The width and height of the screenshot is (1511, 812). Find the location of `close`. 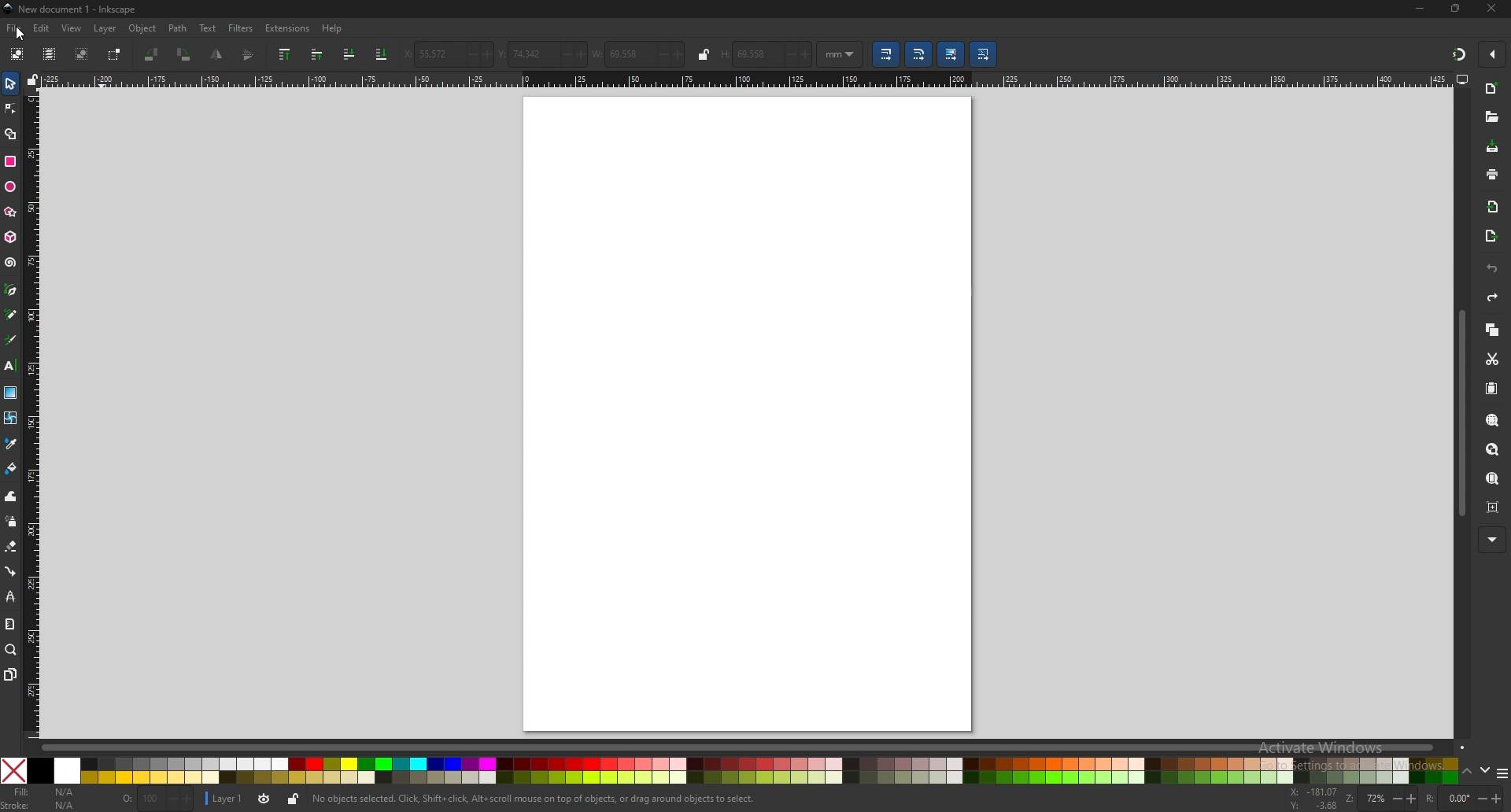

close is located at coordinates (1491, 9).